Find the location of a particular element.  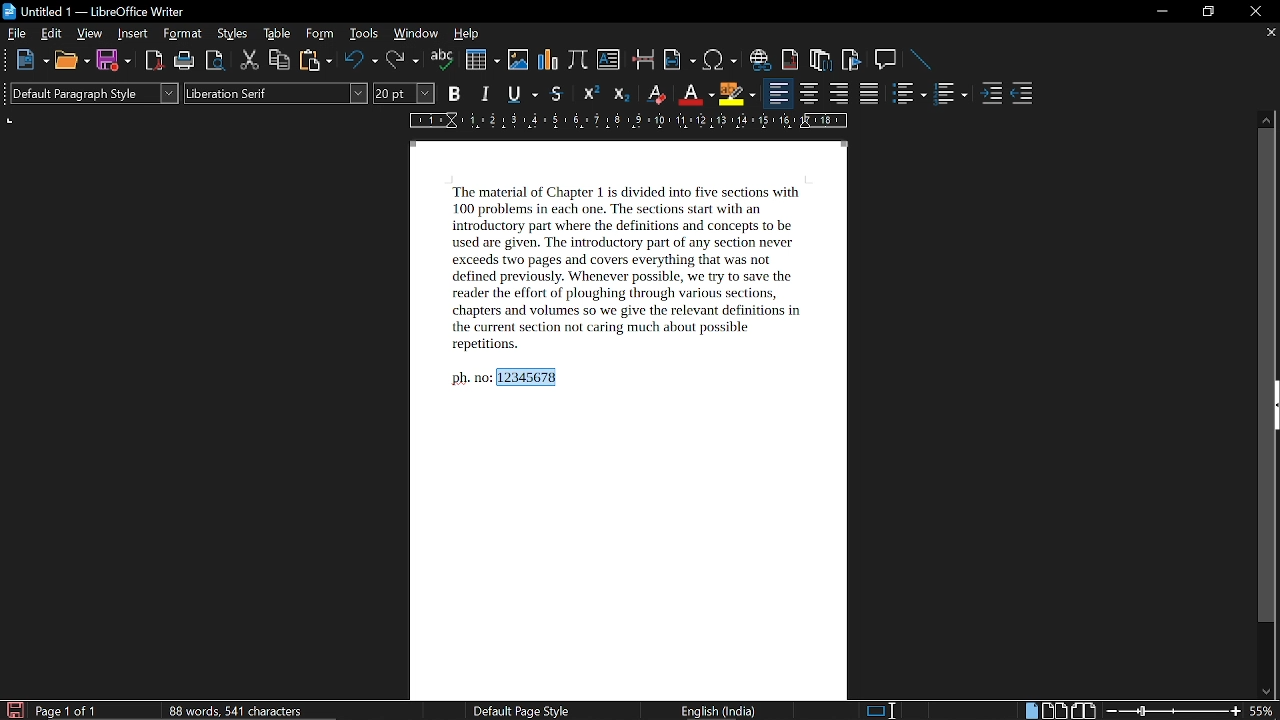

insert symbol is located at coordinates (718, 60).